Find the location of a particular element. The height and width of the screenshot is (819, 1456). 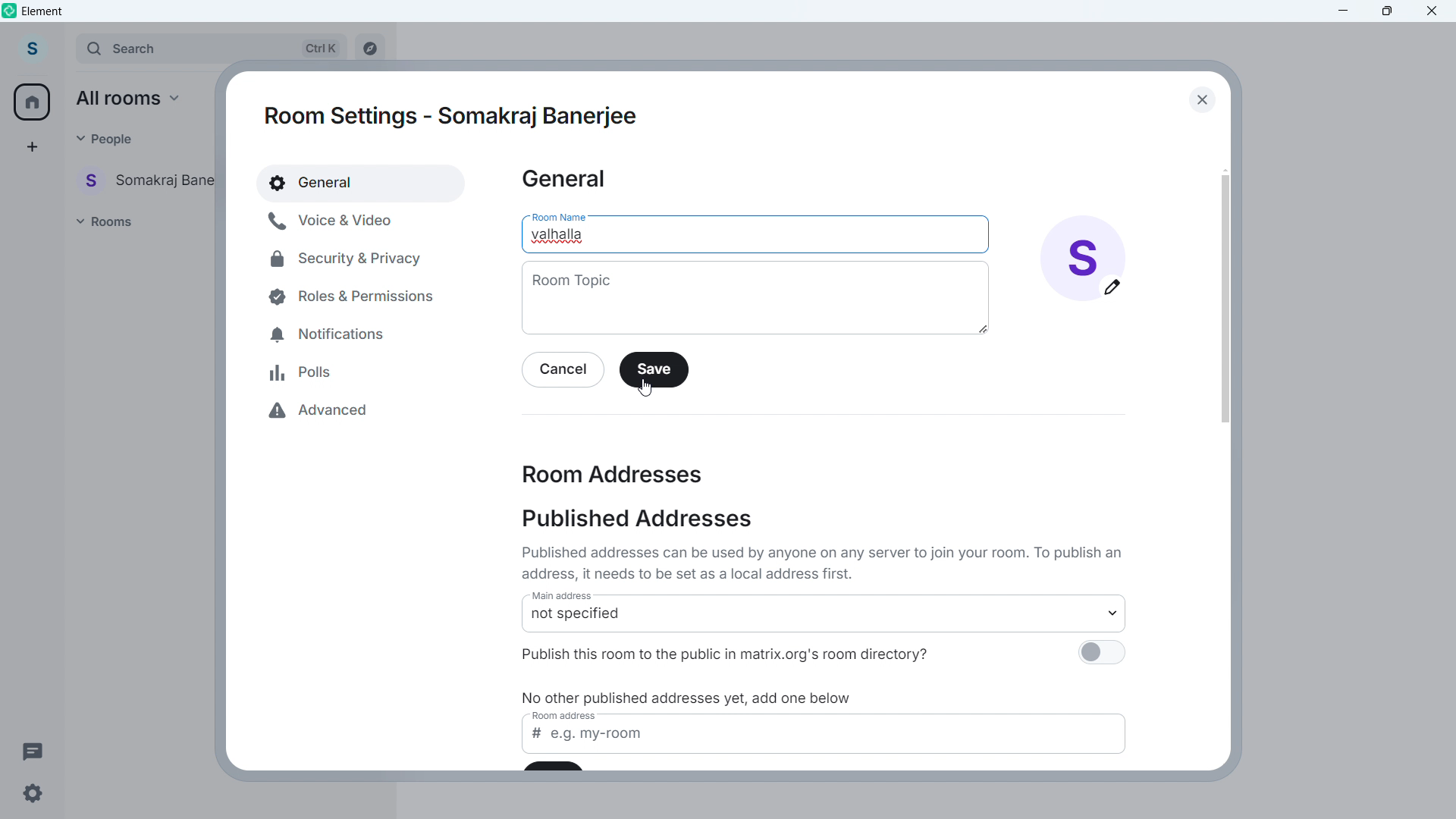

search is located at coordinates (212, 48).